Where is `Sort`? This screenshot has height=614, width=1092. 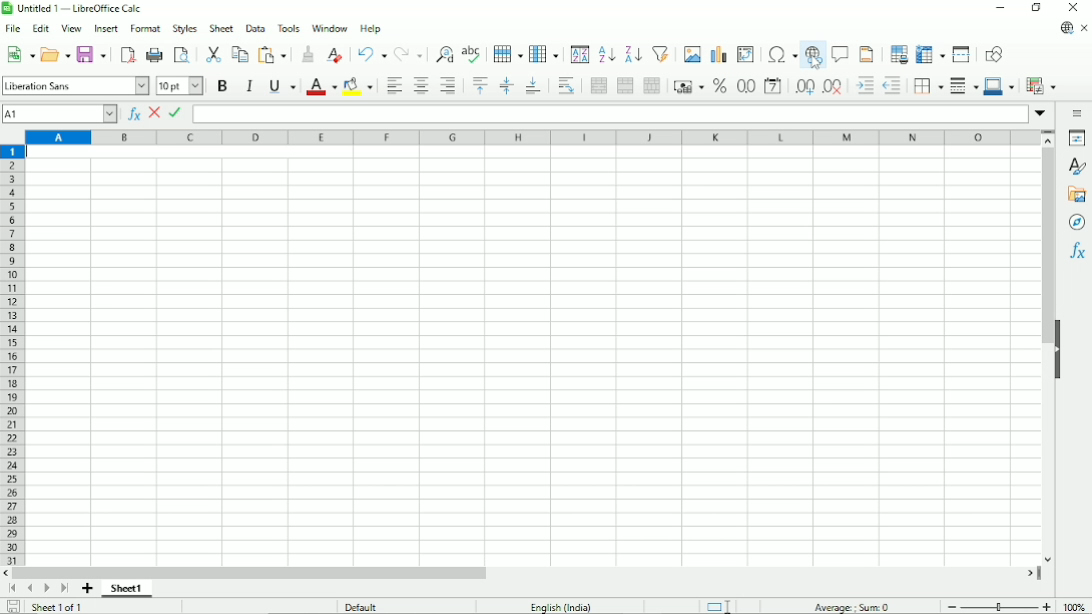 Sort is located at coordinates (580, 55).